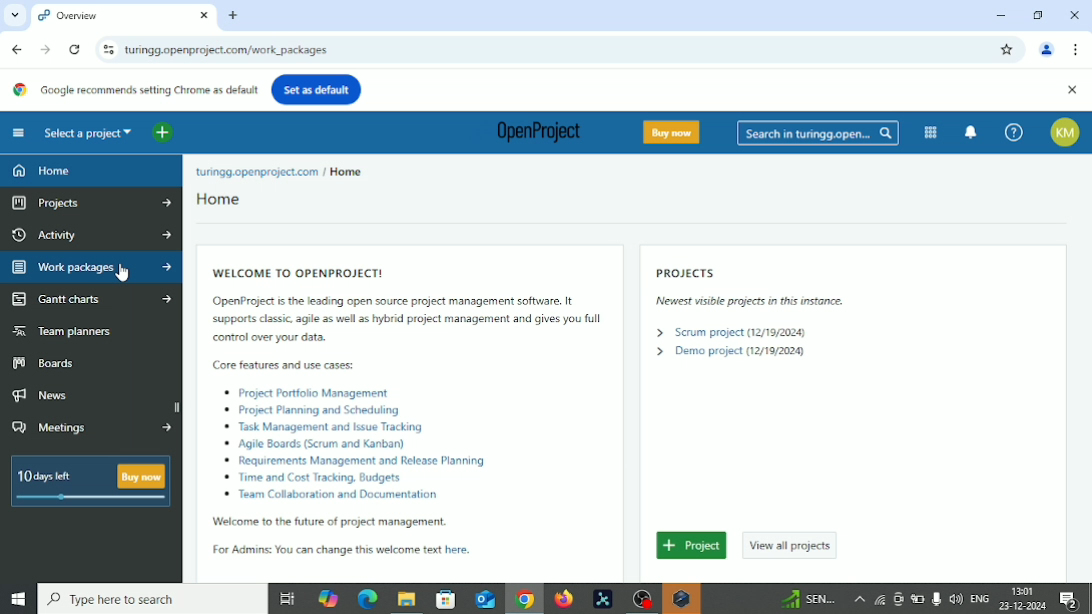 This screenshot has height=614, width=1092. What do you see at coordinates (45, 49) in the screenshot?
I see `Forward` at bounding box center [45, 49].